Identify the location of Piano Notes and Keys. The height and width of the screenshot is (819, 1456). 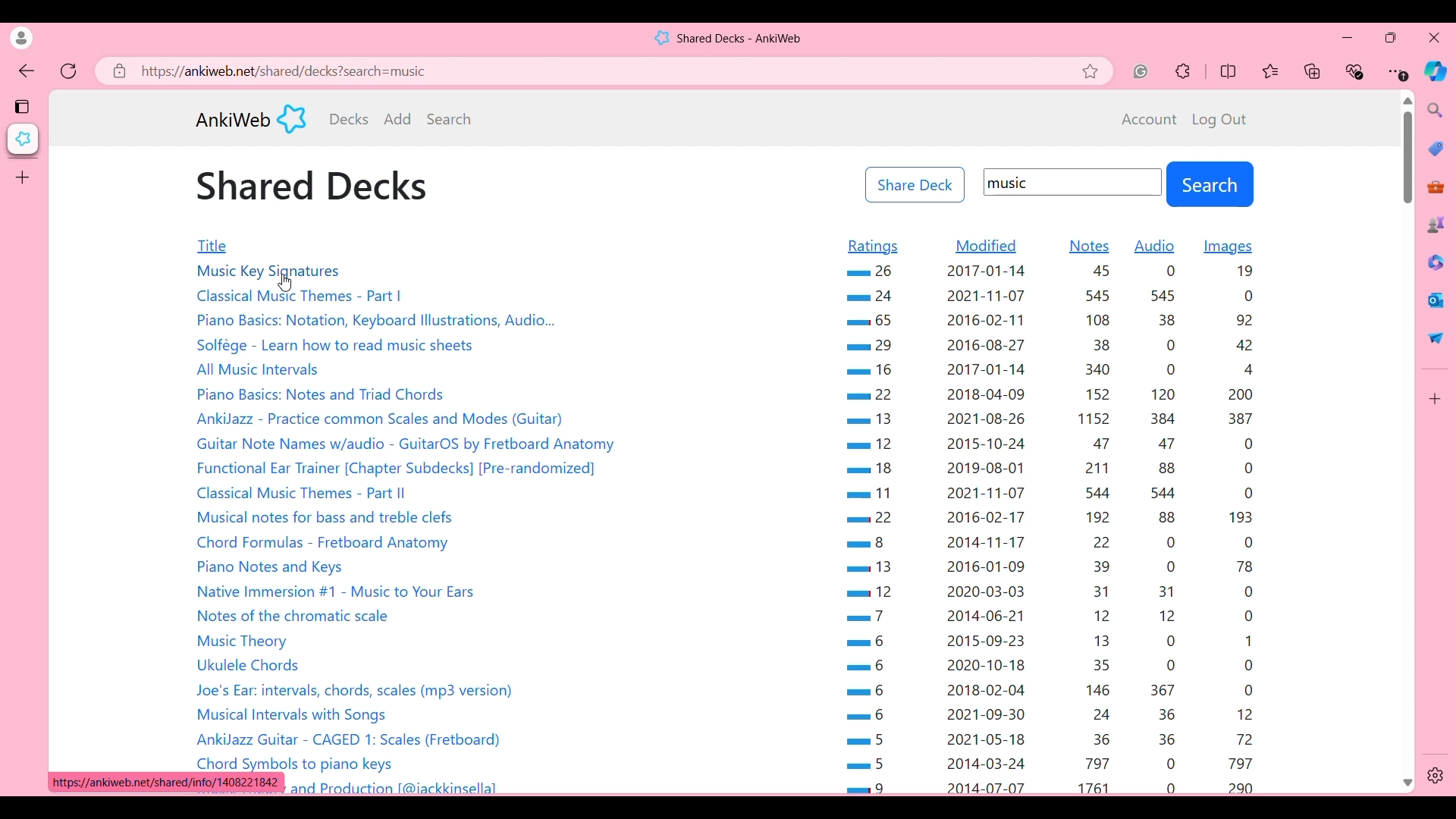
(271, 566).